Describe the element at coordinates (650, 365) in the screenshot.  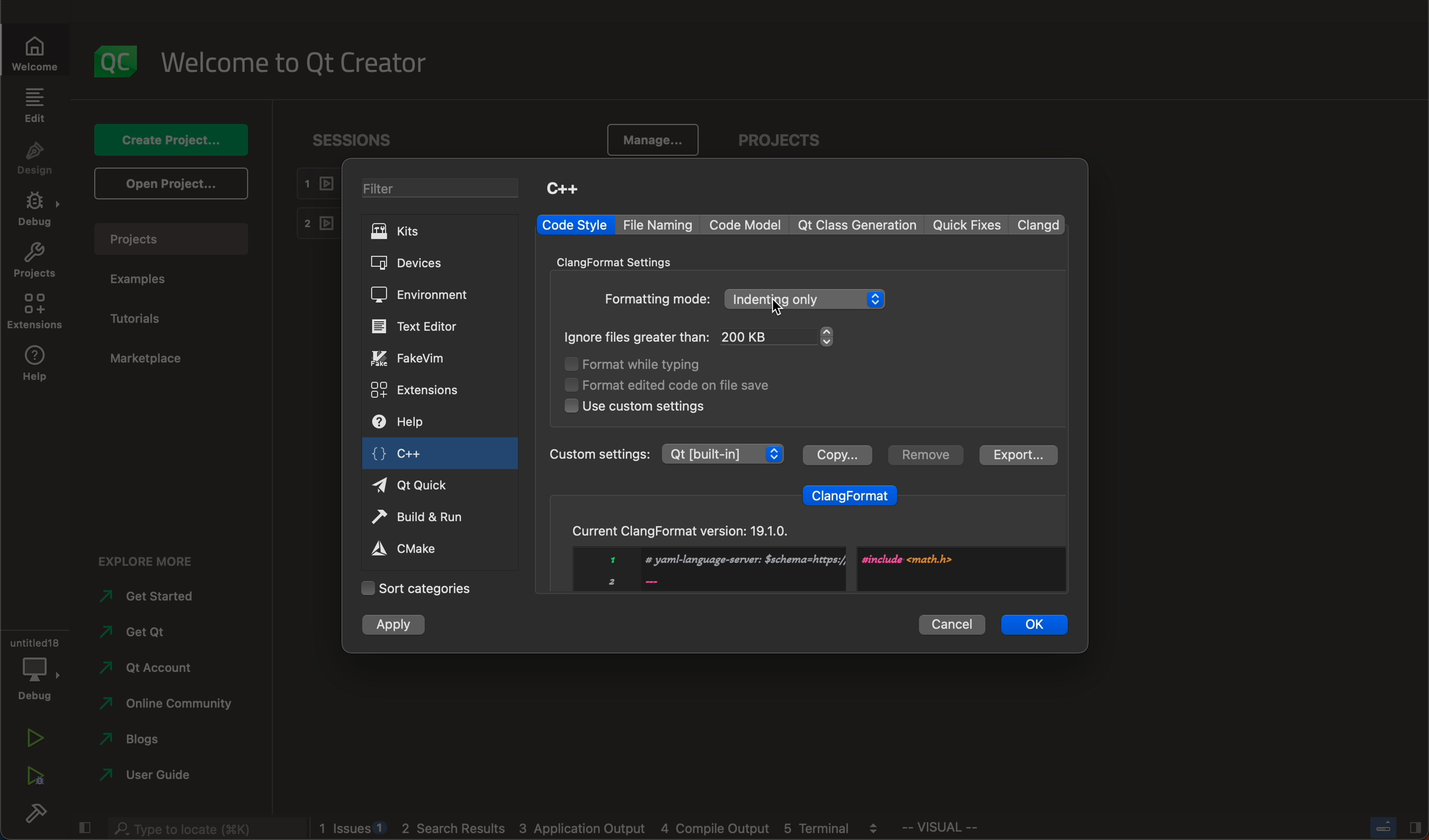
I see `typing format` at that location.